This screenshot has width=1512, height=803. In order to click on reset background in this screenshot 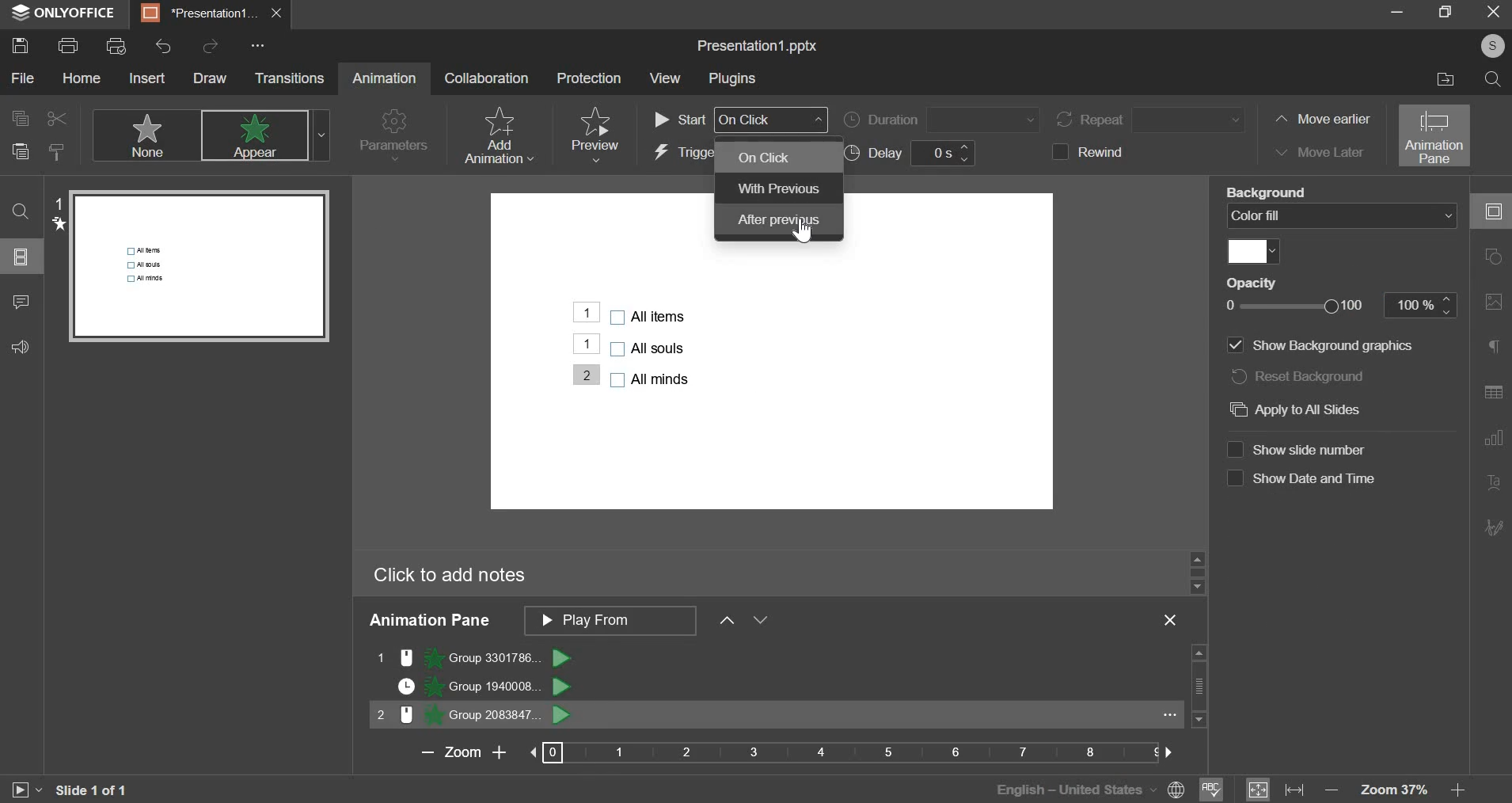, I will do `click(1309, 377)`.